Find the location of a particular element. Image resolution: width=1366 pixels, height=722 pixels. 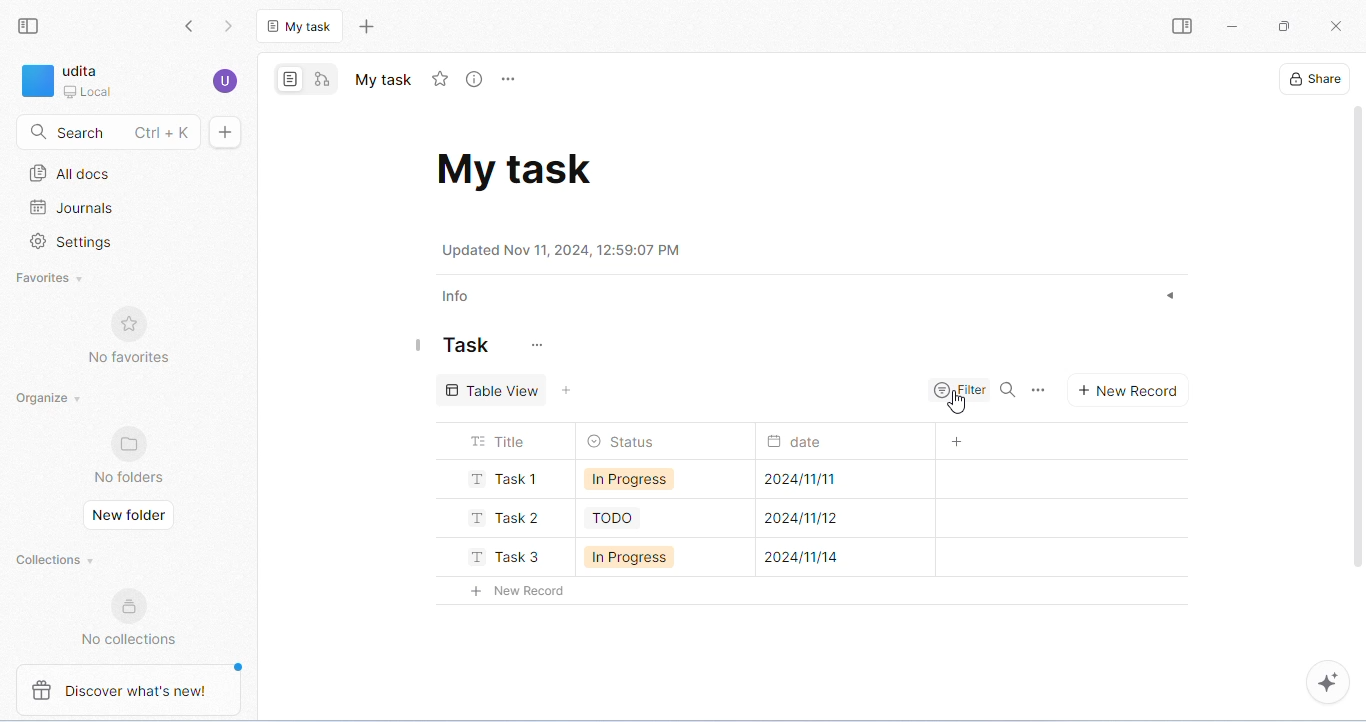

task is located at coordinates (466, 345).